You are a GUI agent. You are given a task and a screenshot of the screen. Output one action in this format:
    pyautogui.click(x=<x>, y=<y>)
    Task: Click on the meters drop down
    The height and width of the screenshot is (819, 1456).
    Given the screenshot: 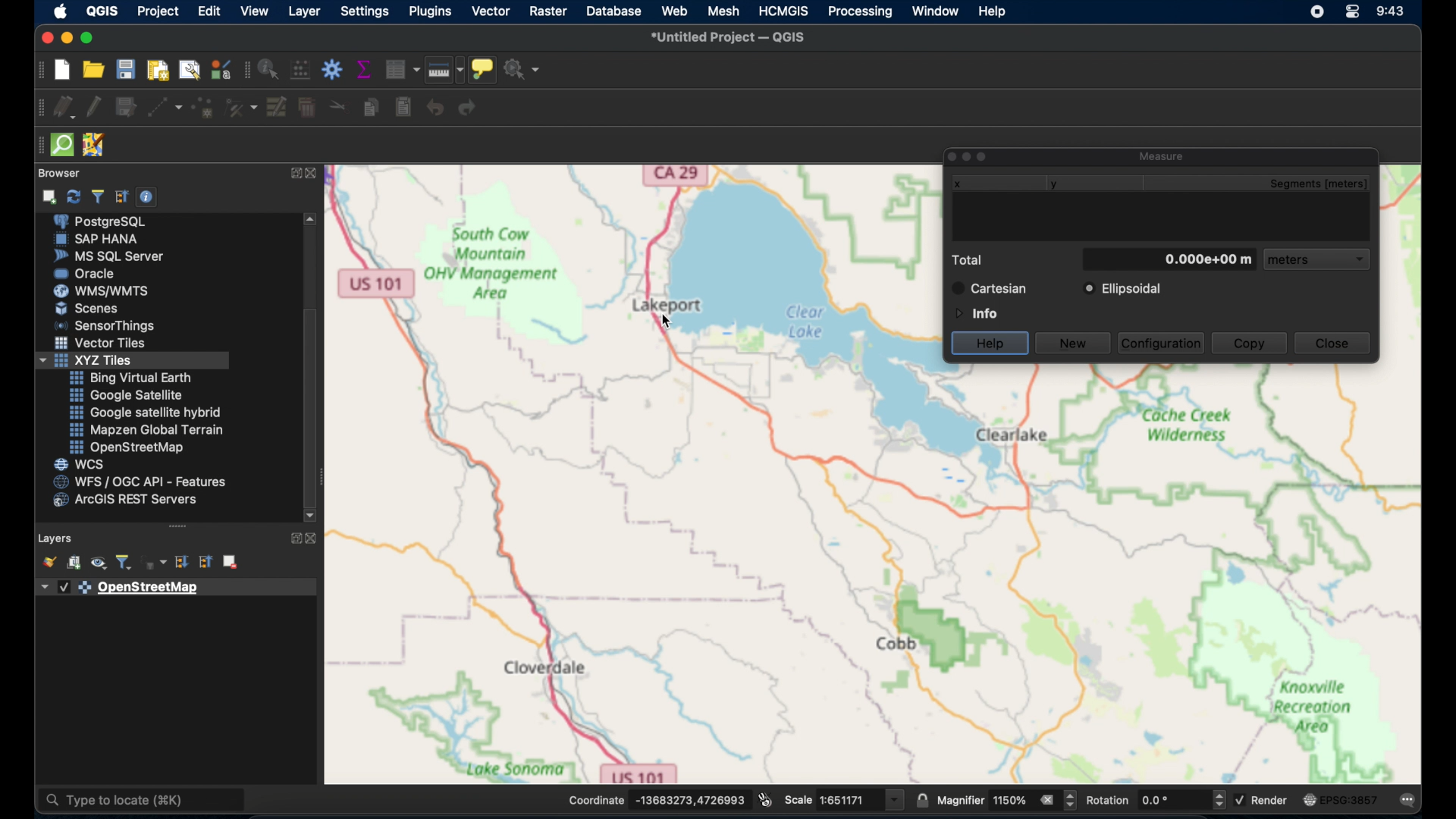 What is the action you would take?
    pyautogui.click(x=1319, y=261)
    